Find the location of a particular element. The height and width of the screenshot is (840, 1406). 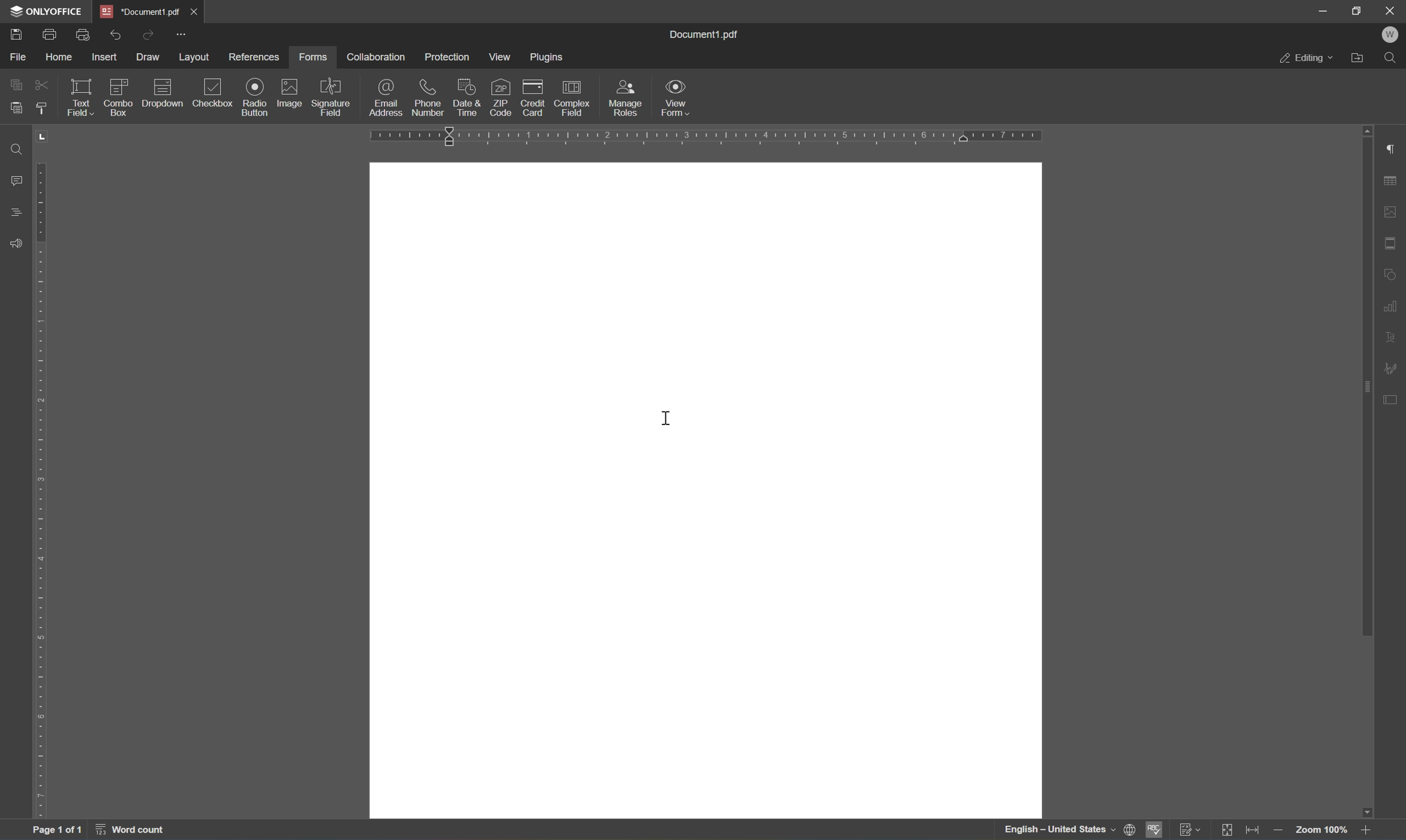

draw is located at coordinates (147, 55).